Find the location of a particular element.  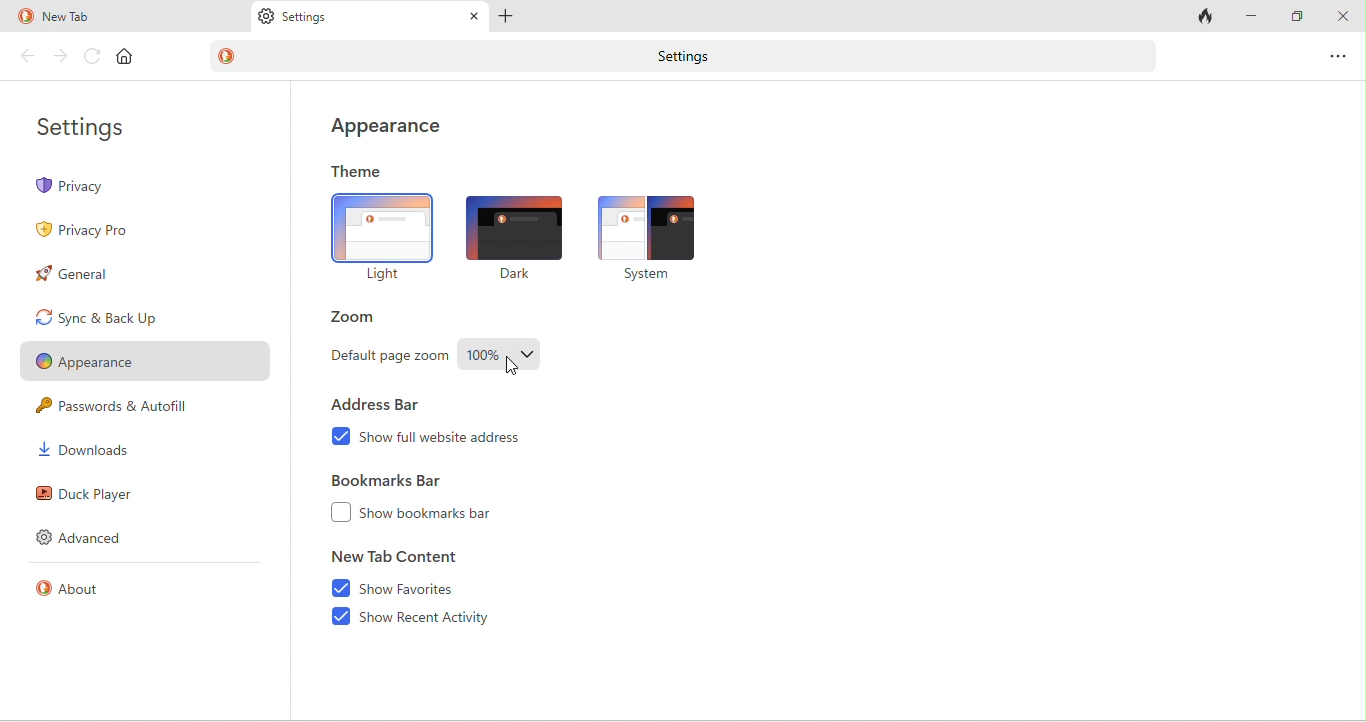

enable checkbox is located at coordinates (339, 616).